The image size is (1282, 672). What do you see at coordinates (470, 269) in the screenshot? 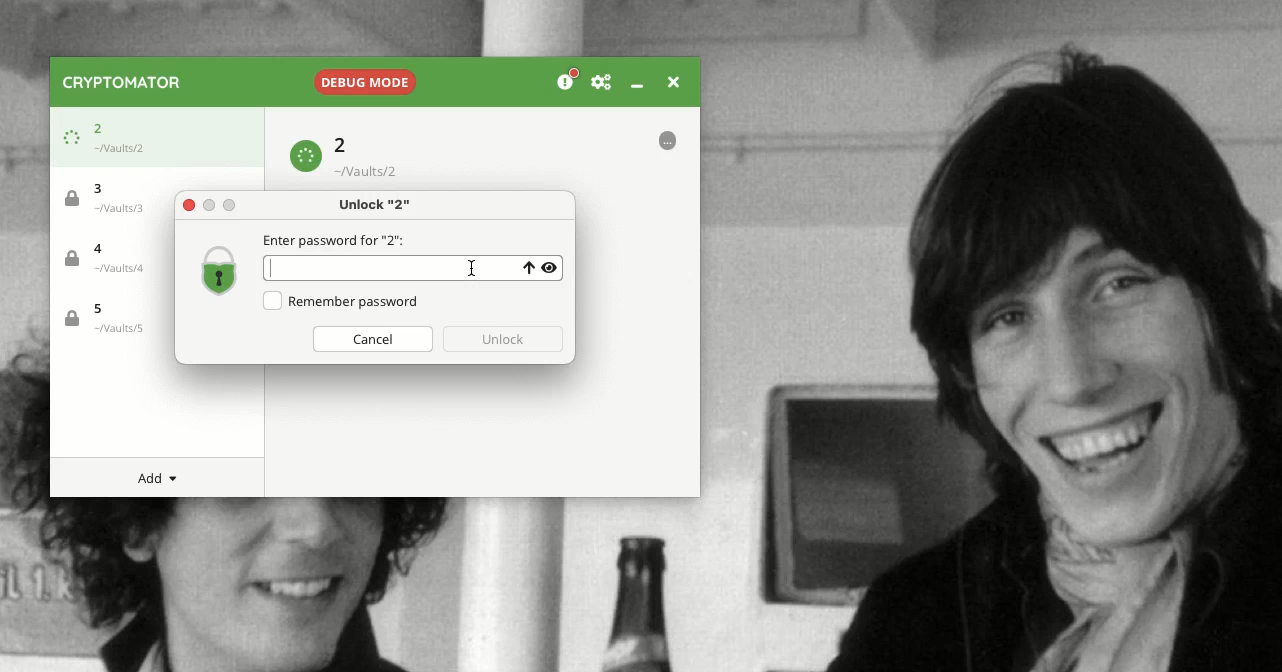
I see `cursor` at bounding box center [470, 269].